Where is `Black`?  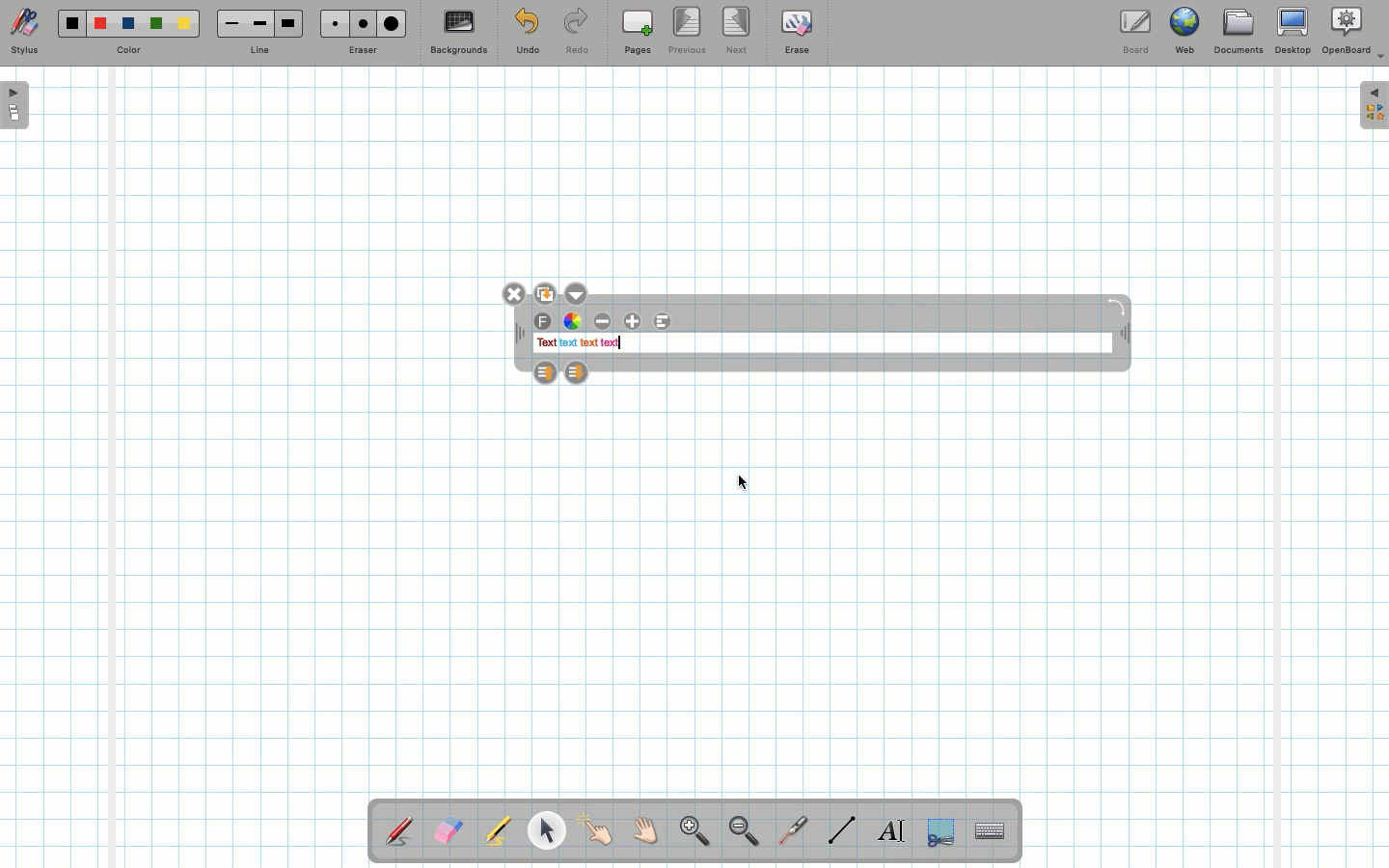 Black is located at coordinates (70, 23).